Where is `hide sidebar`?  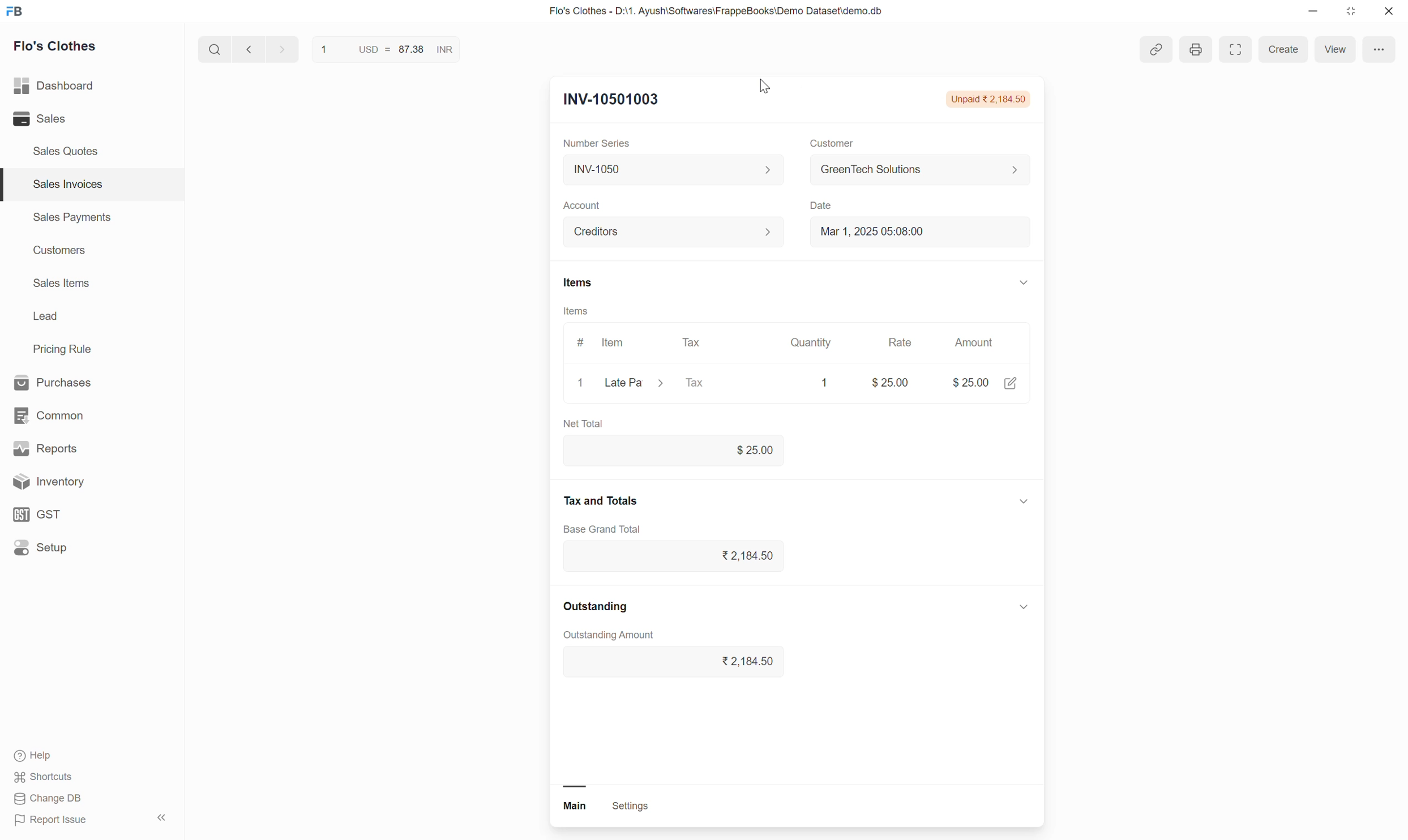 hide sidebar is located at coordinates (163, 818).